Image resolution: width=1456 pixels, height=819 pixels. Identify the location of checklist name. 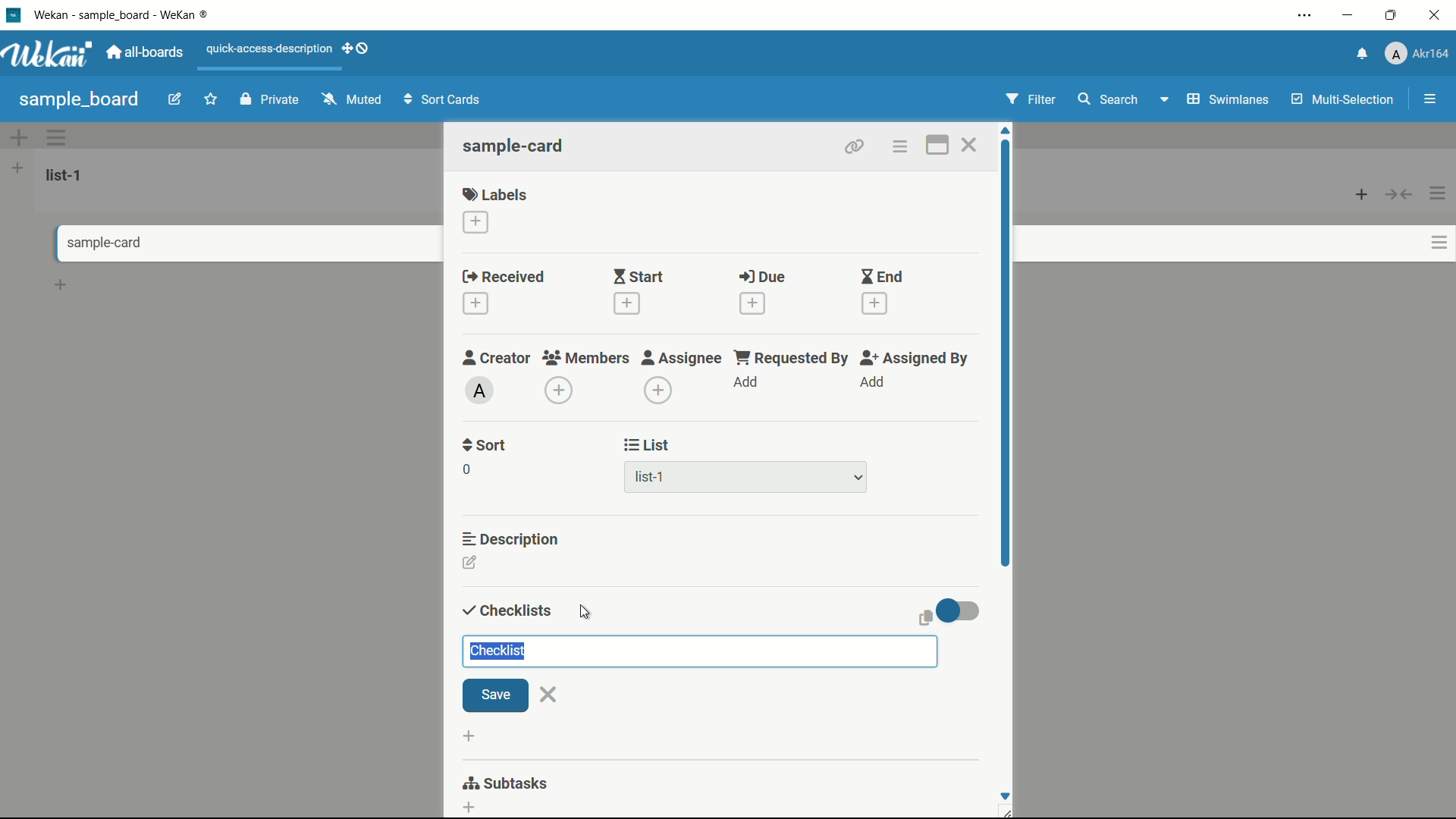
(502, 651).